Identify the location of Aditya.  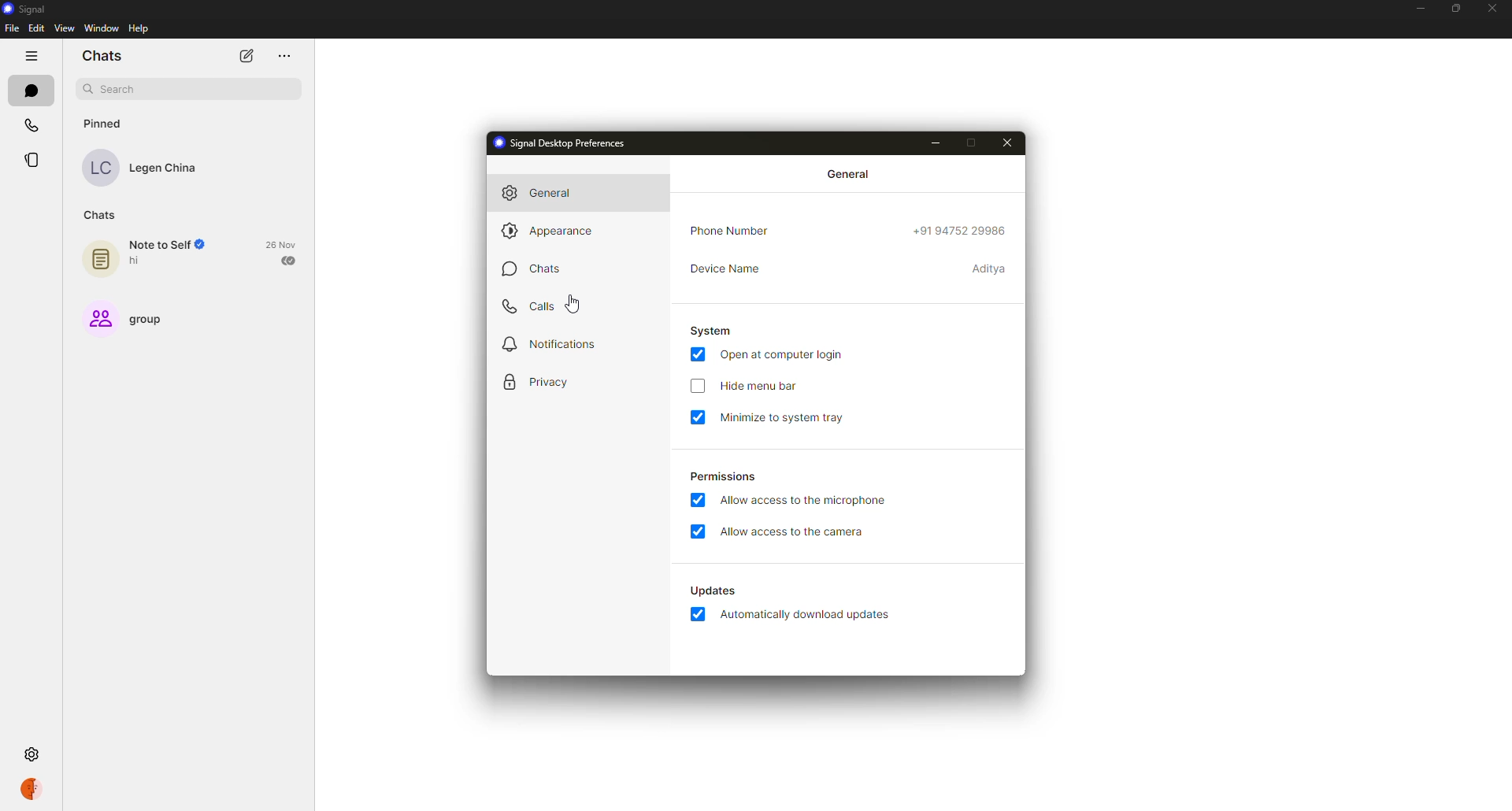
(990, 268).